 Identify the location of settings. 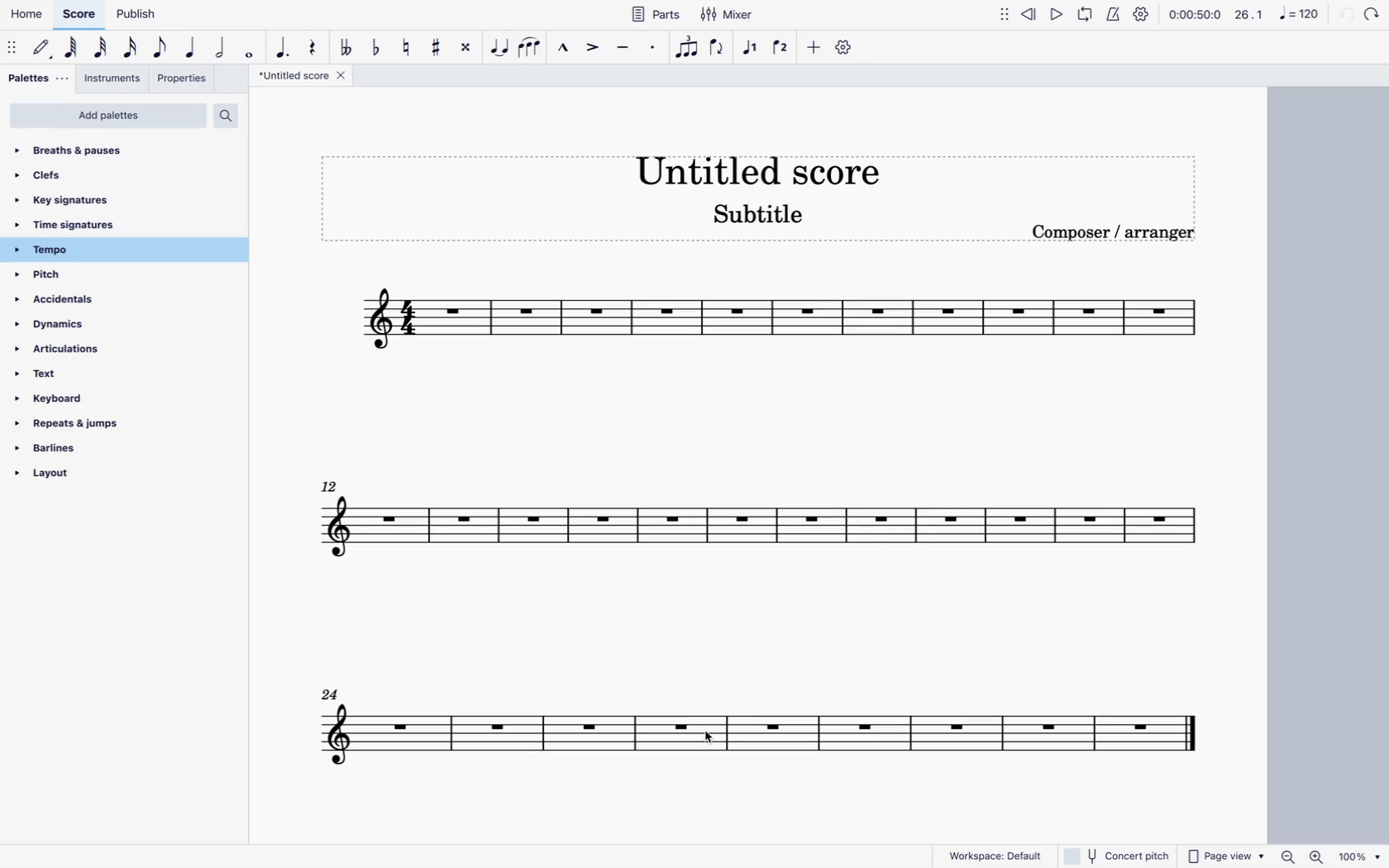
(1143, 16).